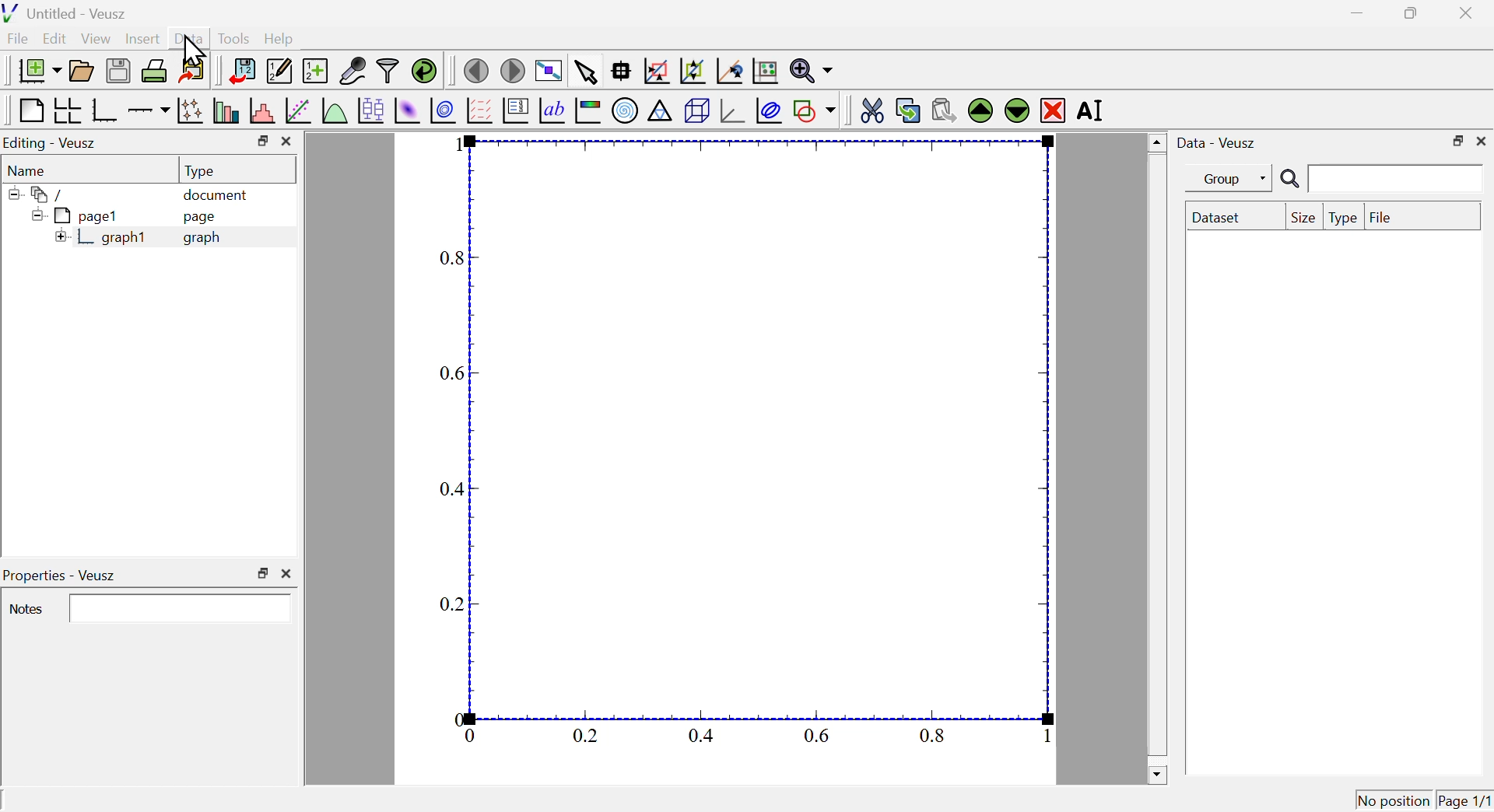  Describe the element at coordinates (97, 38) in the screenshot. I see `view` at that location.